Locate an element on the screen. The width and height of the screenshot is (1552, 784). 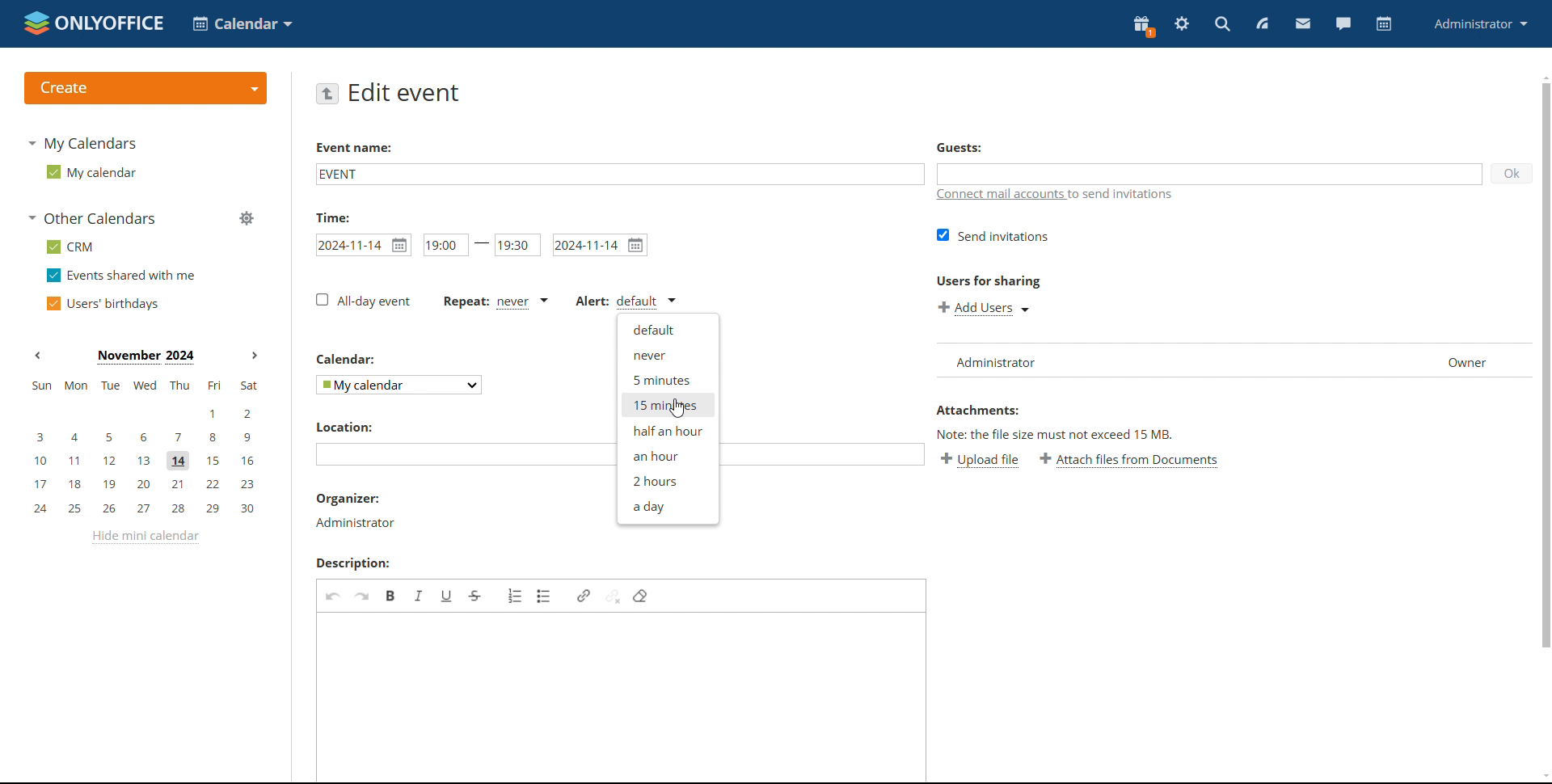
previous month is located at coordinates (38, 355).